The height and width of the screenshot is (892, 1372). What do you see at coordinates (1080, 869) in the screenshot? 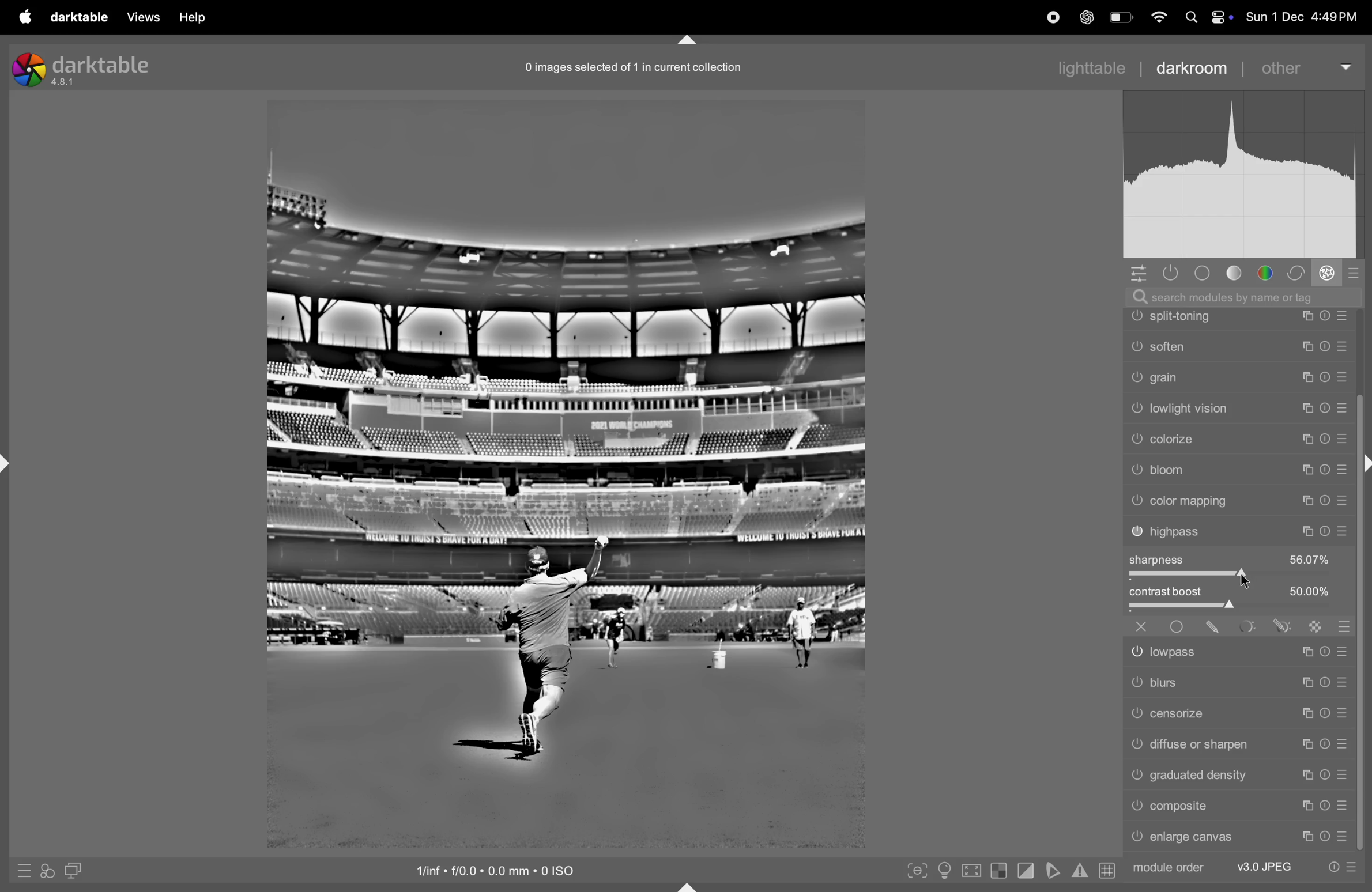
I see `toggle gamut checking` at bounding box center [1080, 869].